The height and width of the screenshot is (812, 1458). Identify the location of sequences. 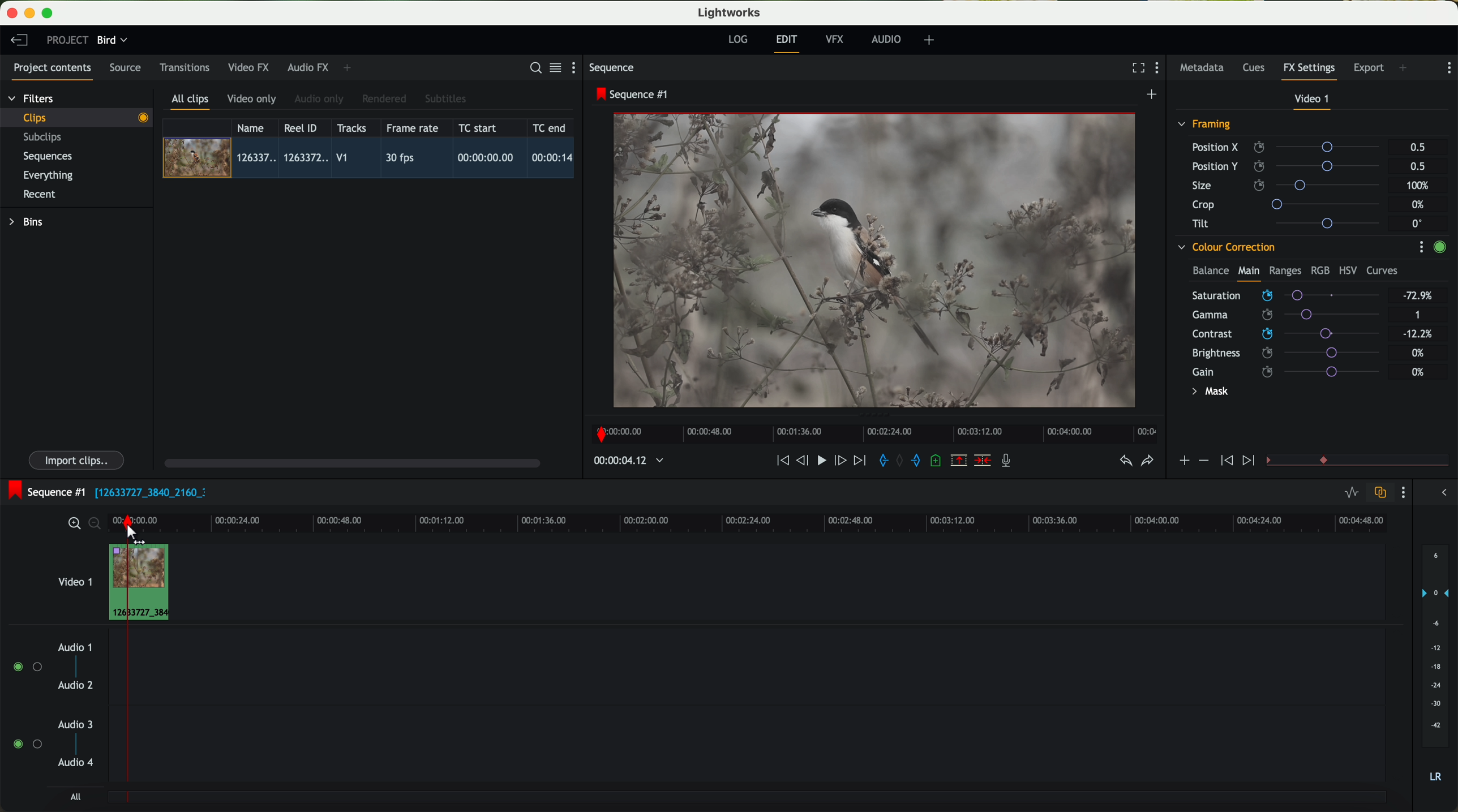
(48, 157).